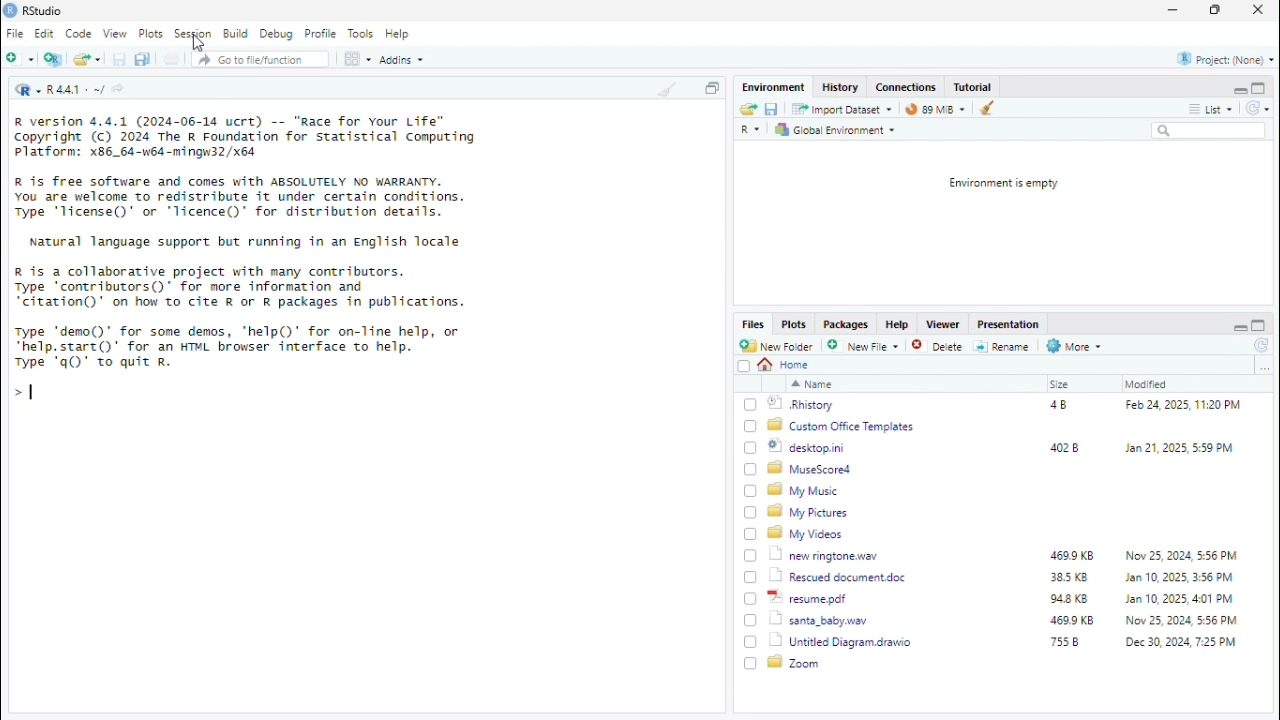 The width and height of the screenshot is (1280, 720). I want to click on Checkbox, so click(751, 469).